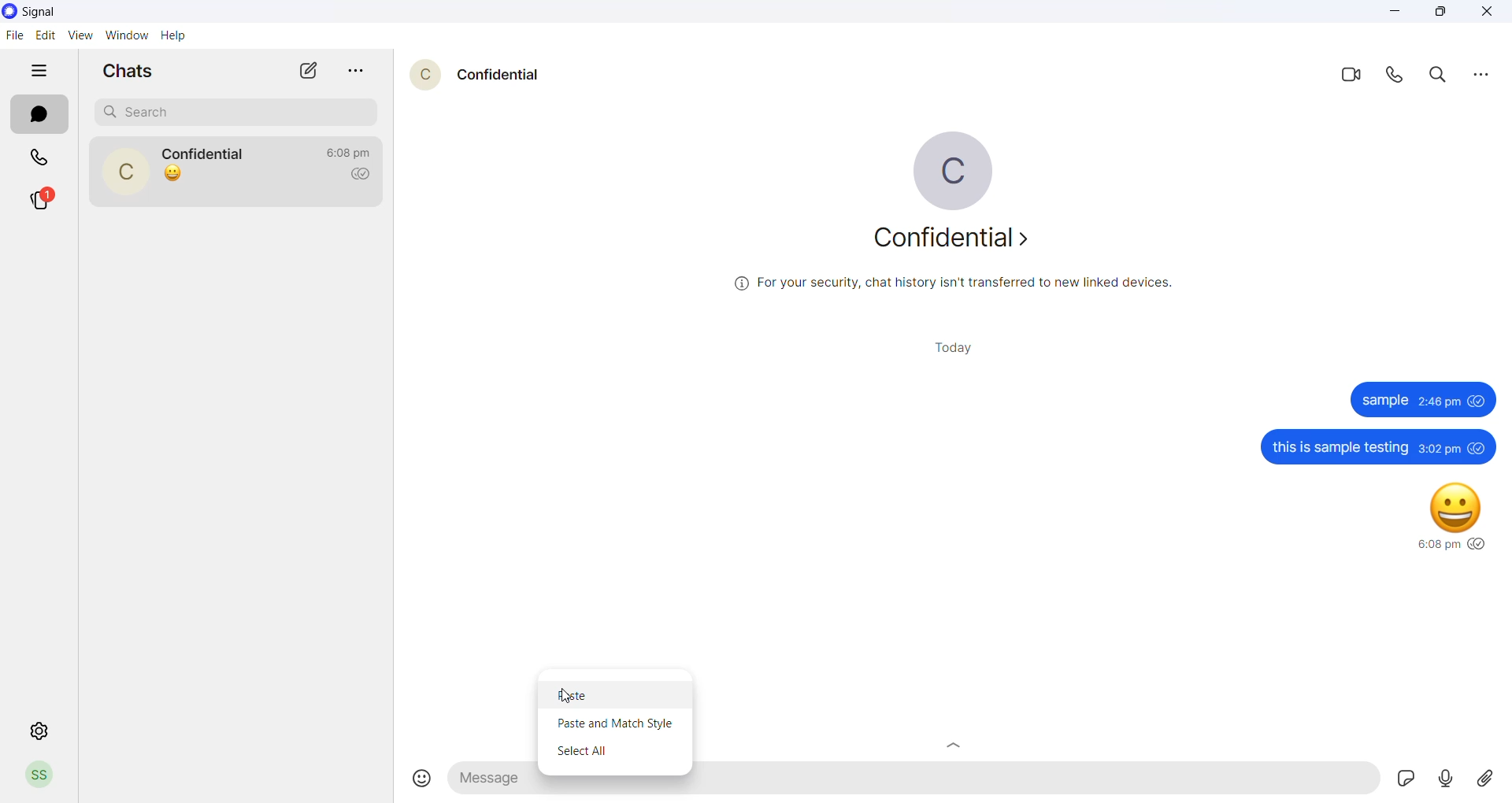 Image resolution: width=1512 pixels, height=803 pixels. Describe the element at coordinates (1447, 779) in the screenshot. I see `voice note` at that location.